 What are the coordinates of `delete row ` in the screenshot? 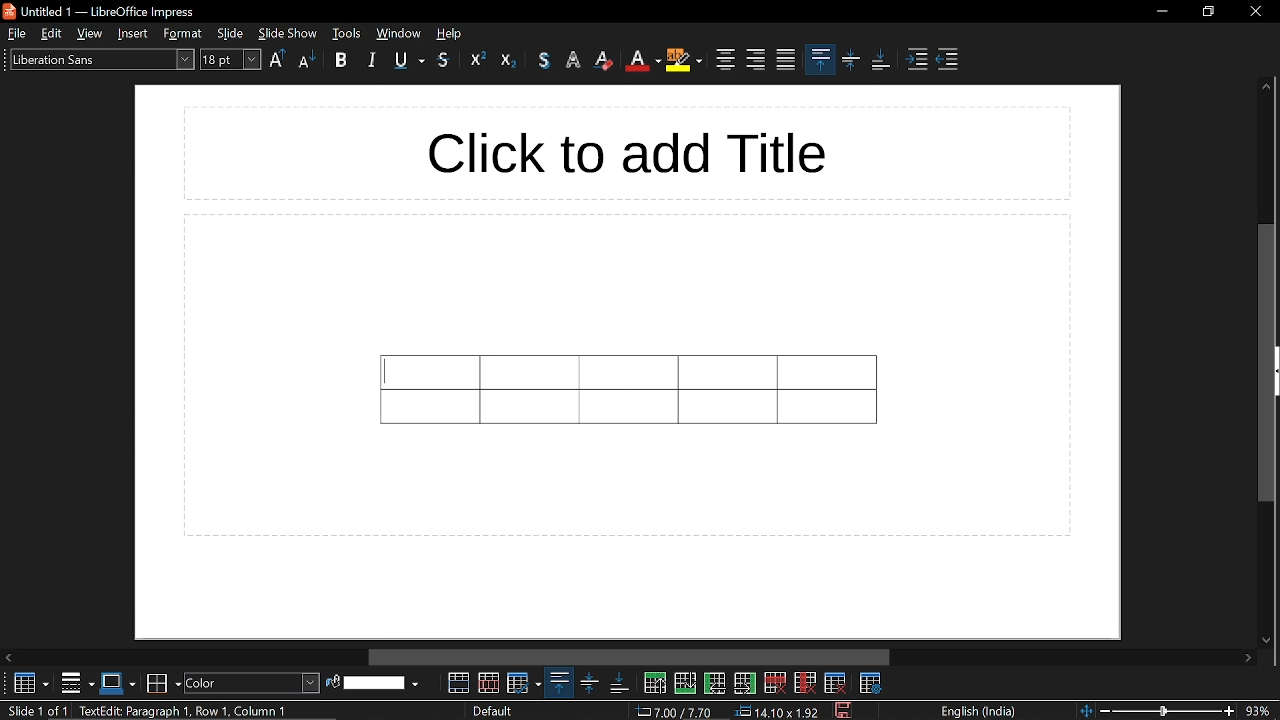 It's located at (774, 682).